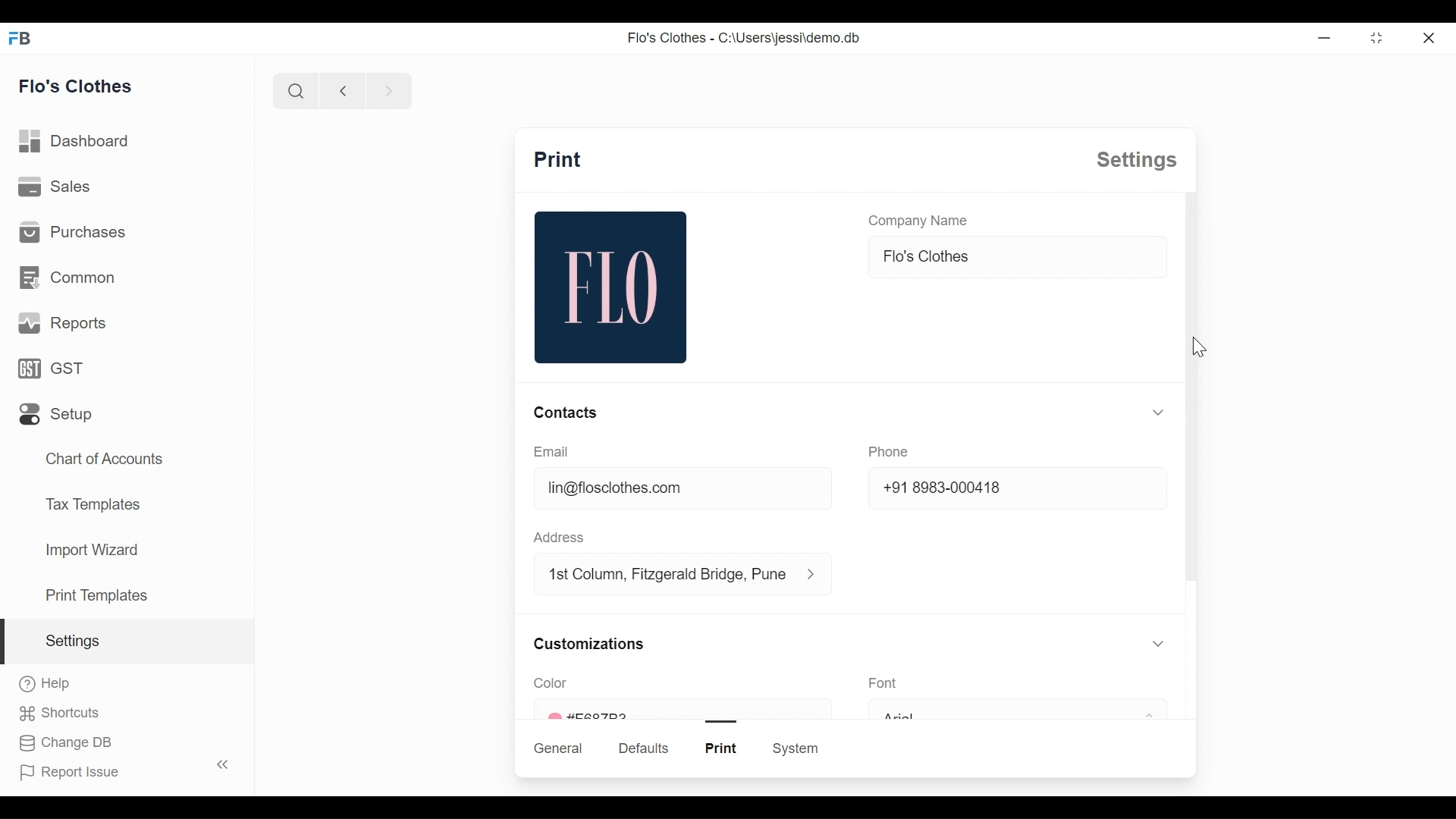 The image size is (1456, 819). Describe the element at coordinates (1322, 37) in the screenshot. I see `Minimize` at that location.